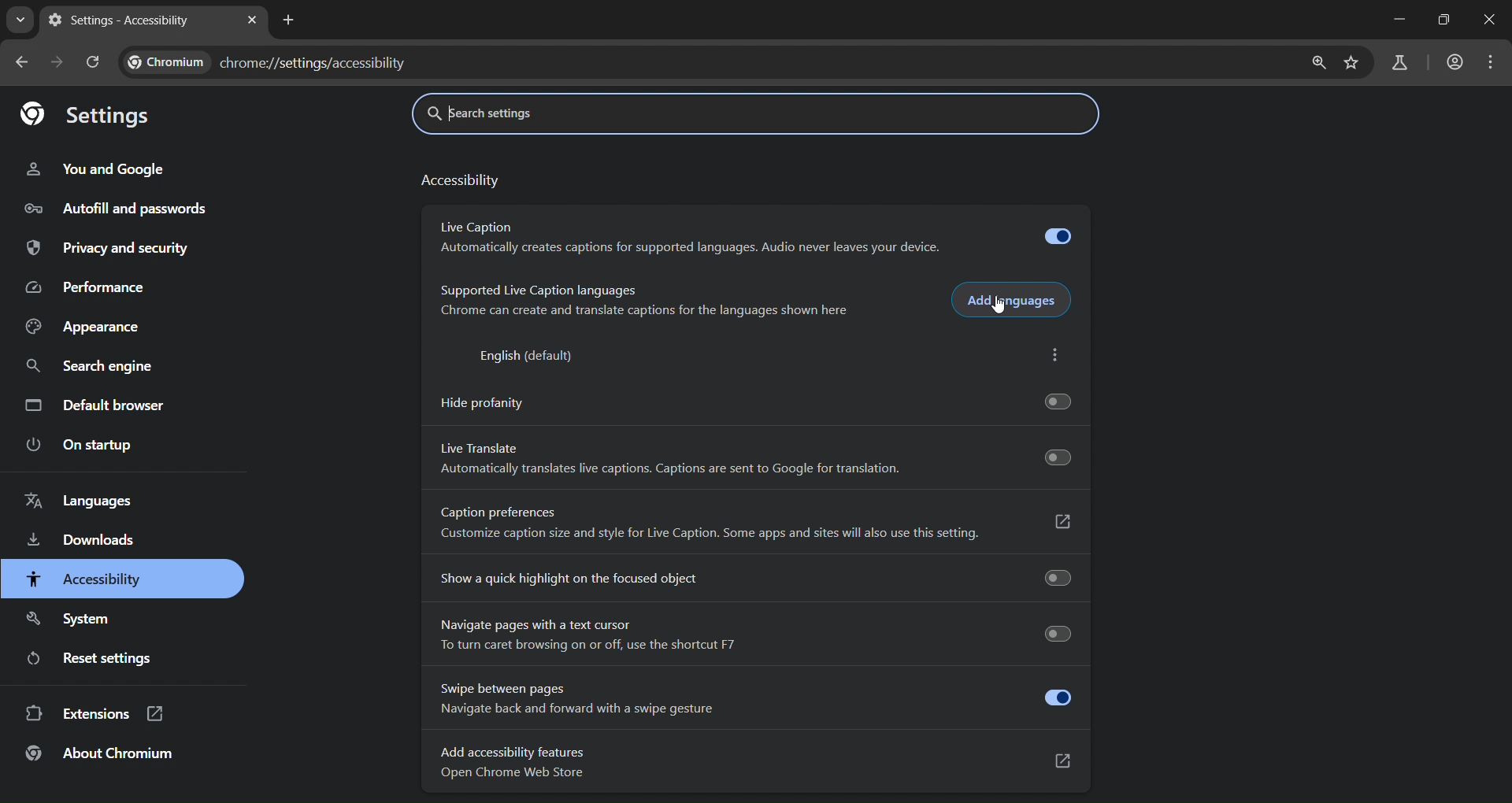  What do you see at coordinates (97, 659) in the screenshot?
I see `reset settings` at bounding box center [97, 659].